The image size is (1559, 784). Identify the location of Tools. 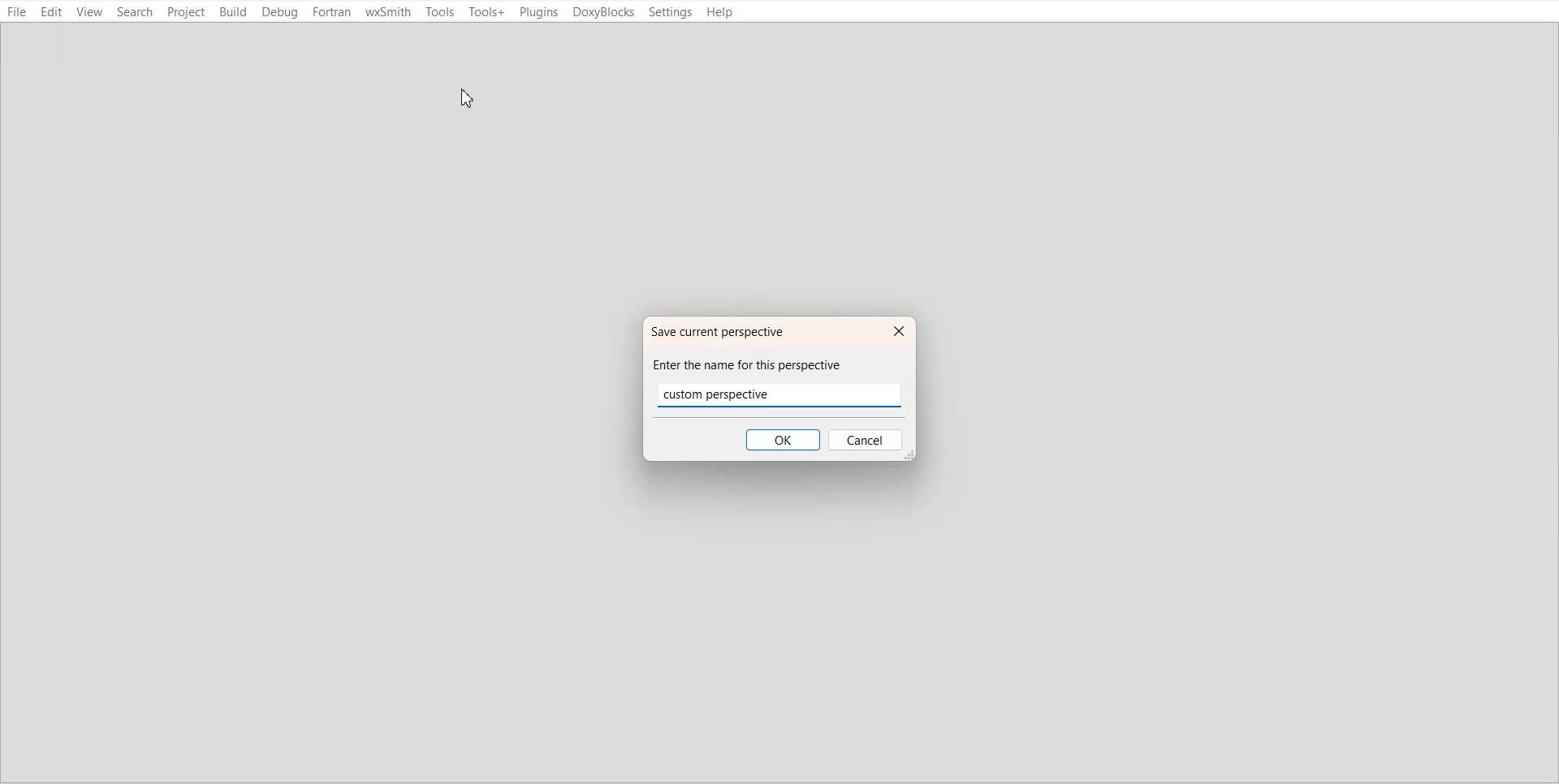
(438, 12).